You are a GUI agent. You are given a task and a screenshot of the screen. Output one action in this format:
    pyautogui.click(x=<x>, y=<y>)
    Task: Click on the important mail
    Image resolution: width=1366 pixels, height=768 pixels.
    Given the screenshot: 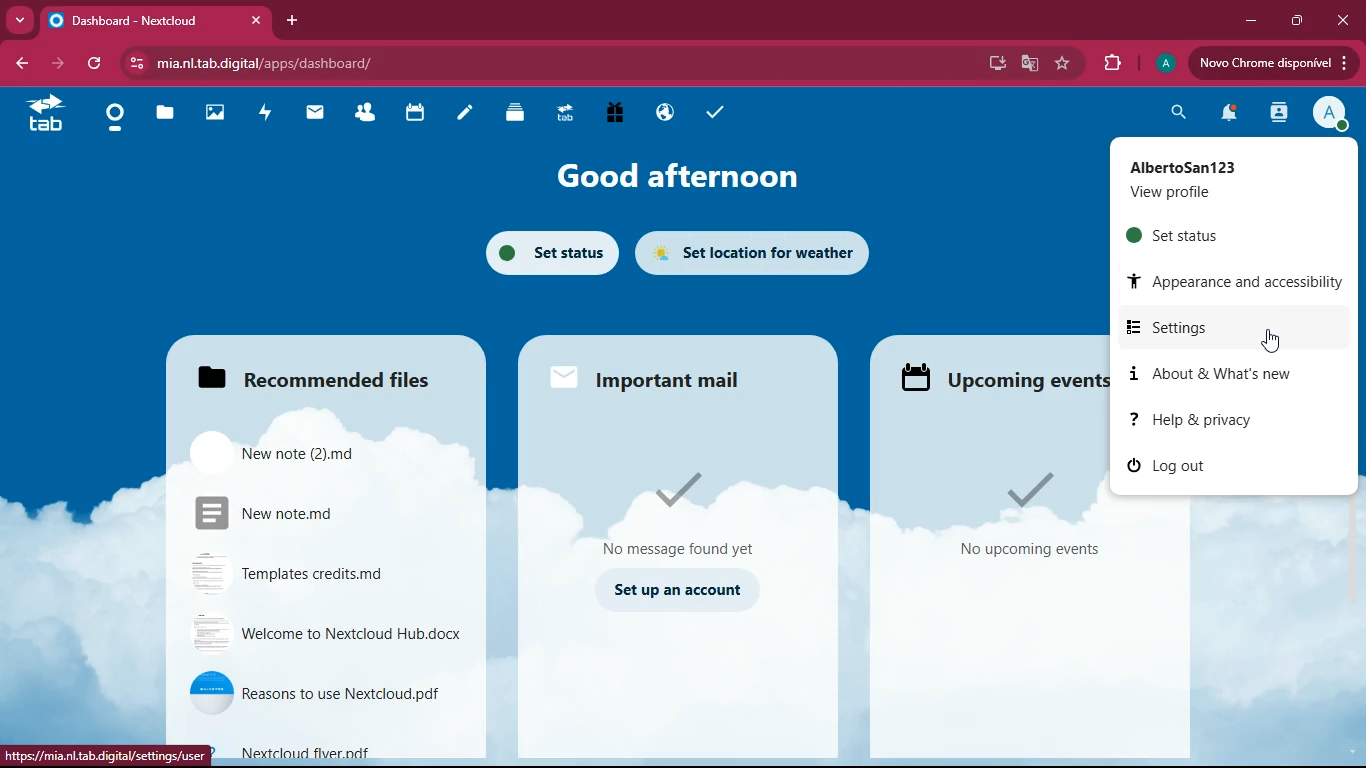 What is the action you would take?
    pyautogui.click(x=649, y=378)
    